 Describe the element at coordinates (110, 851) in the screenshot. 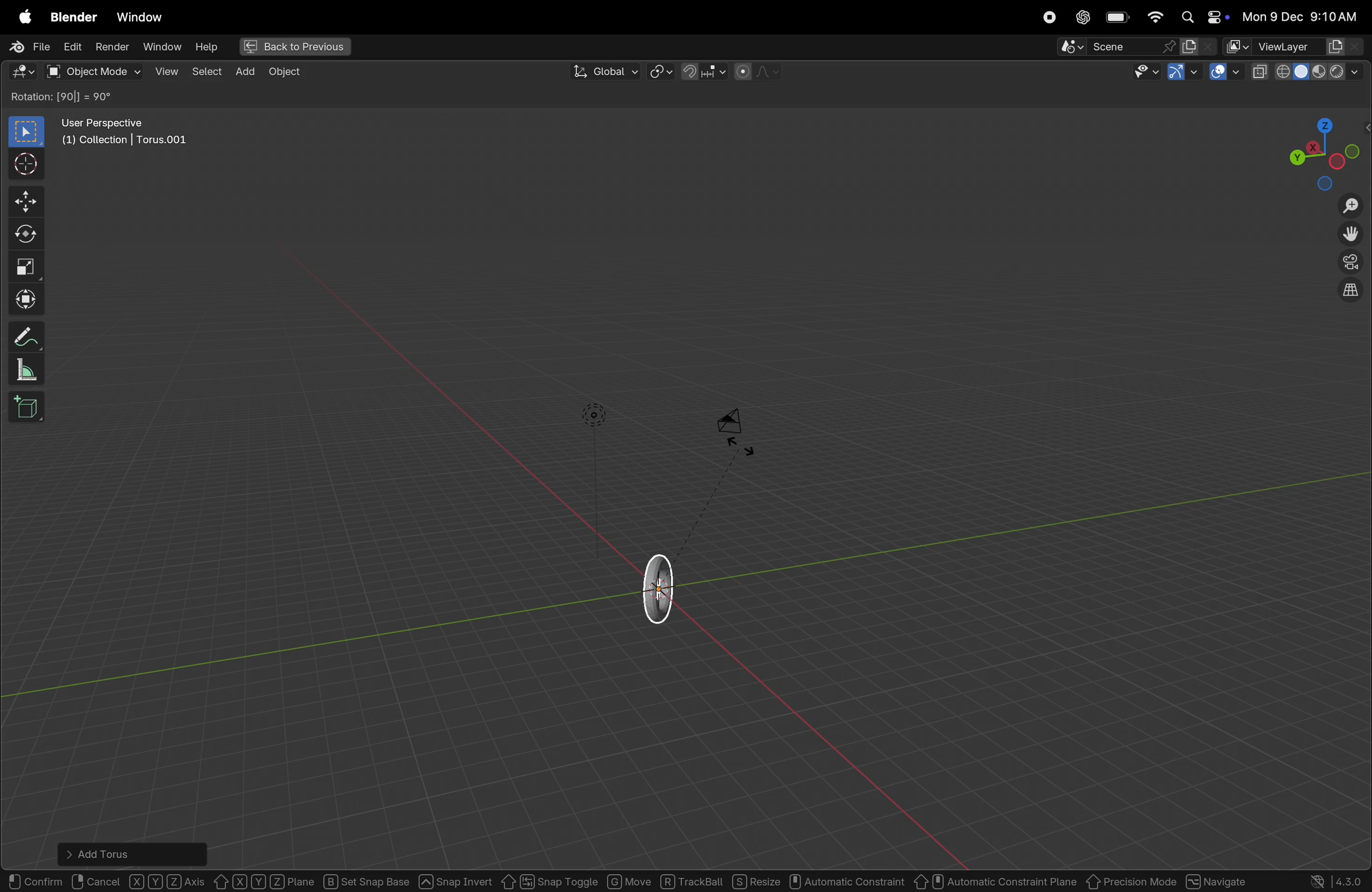

I see `Add torus` at that location.